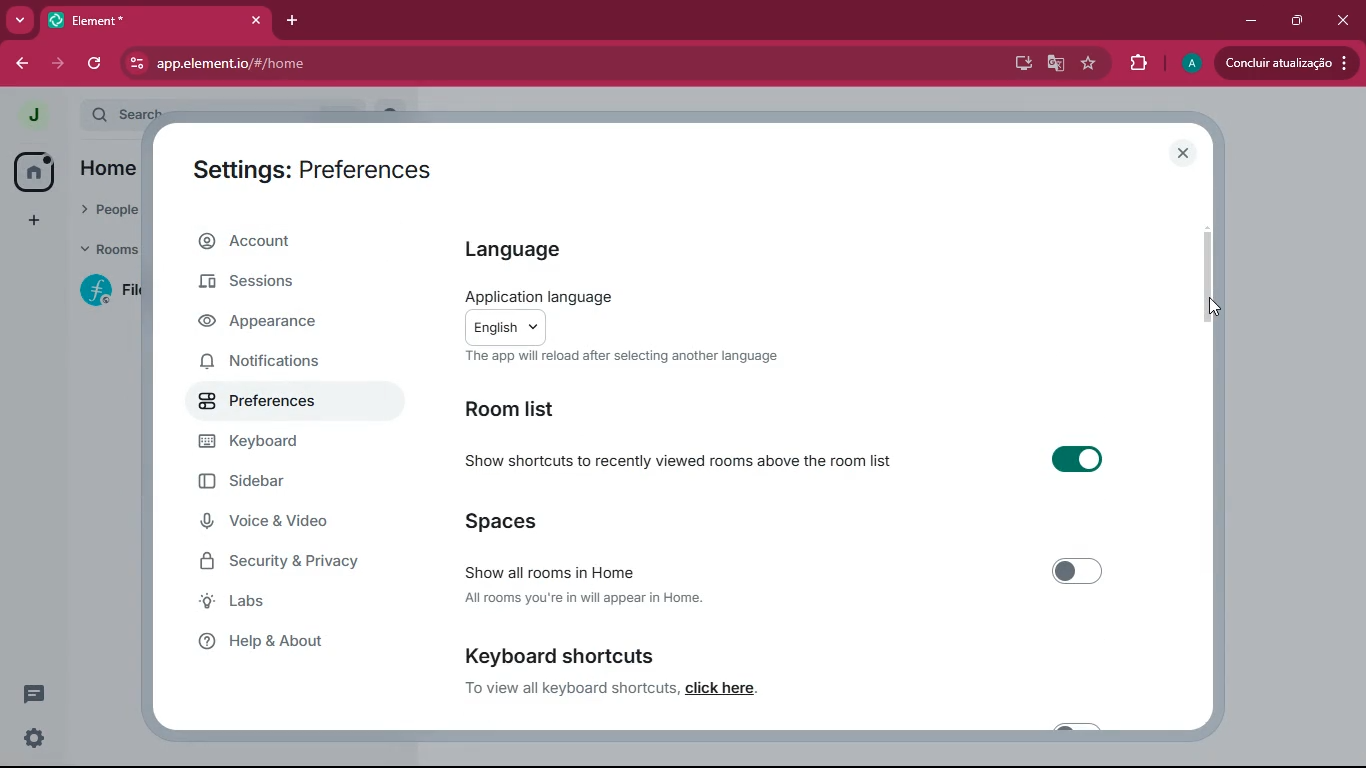  What do you see at coordinates (1141, 65) in the screenshot?
I see `extensions` at bounding box center [1141, 65].